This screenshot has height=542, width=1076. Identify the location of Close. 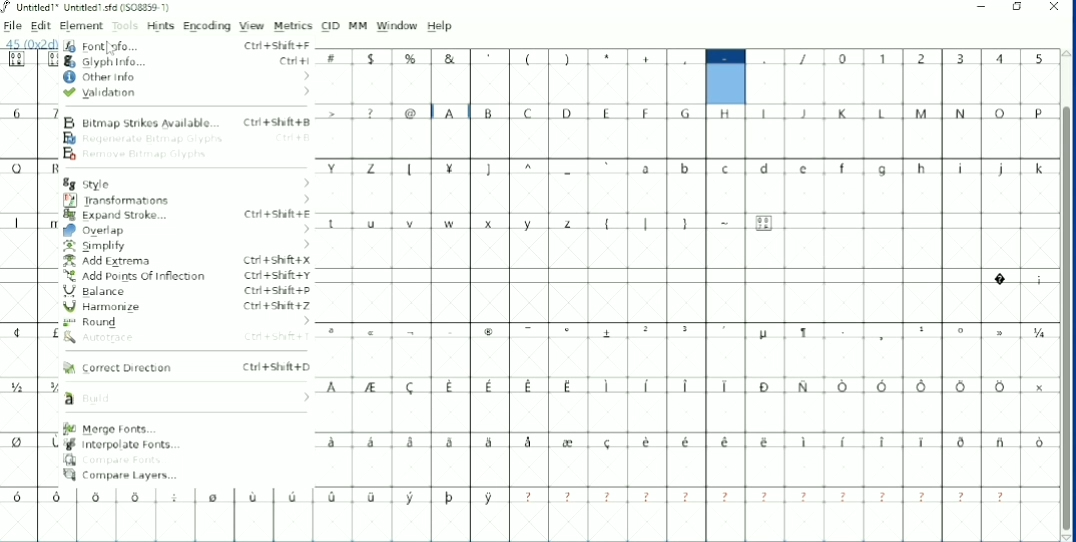
(1054, 9).